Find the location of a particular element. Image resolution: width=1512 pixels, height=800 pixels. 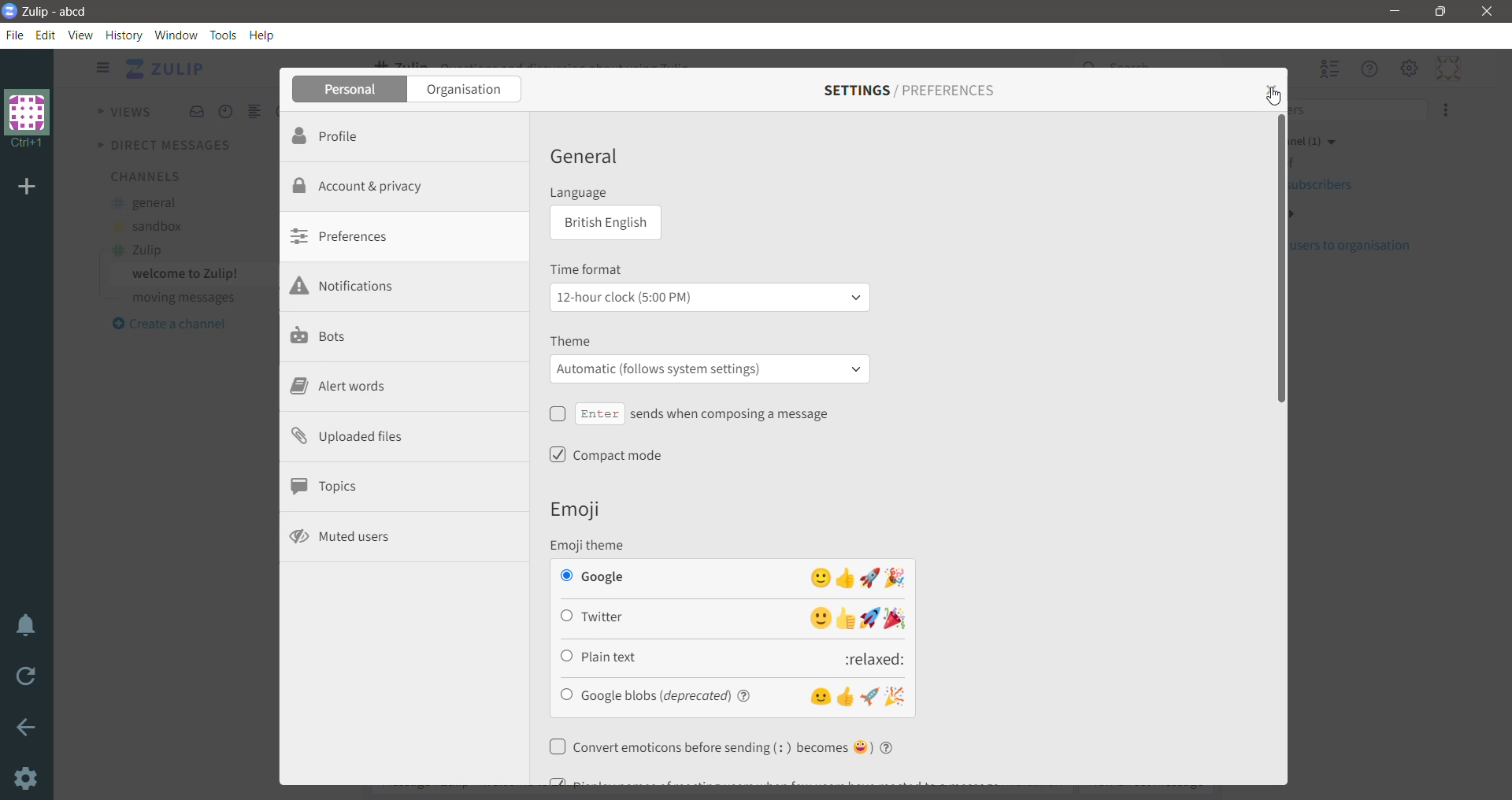

Google blobs(deprecated) is located at coordinates (729, 694).